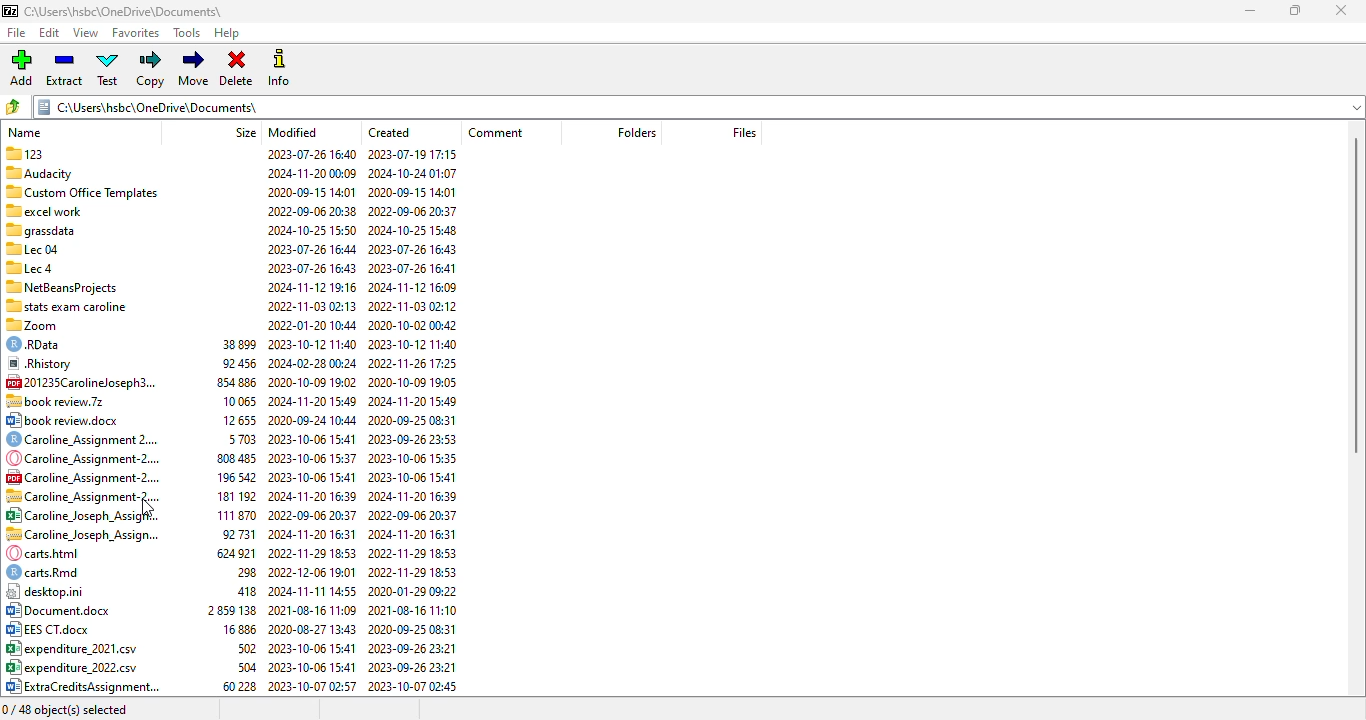 The height and width of the screenshot is (720, 1366). Describe the element at coordinates (230, 230) in the screenshot. I see `= grassdata 2024-10-2515:50 2024-10-25 15:48` at that location.